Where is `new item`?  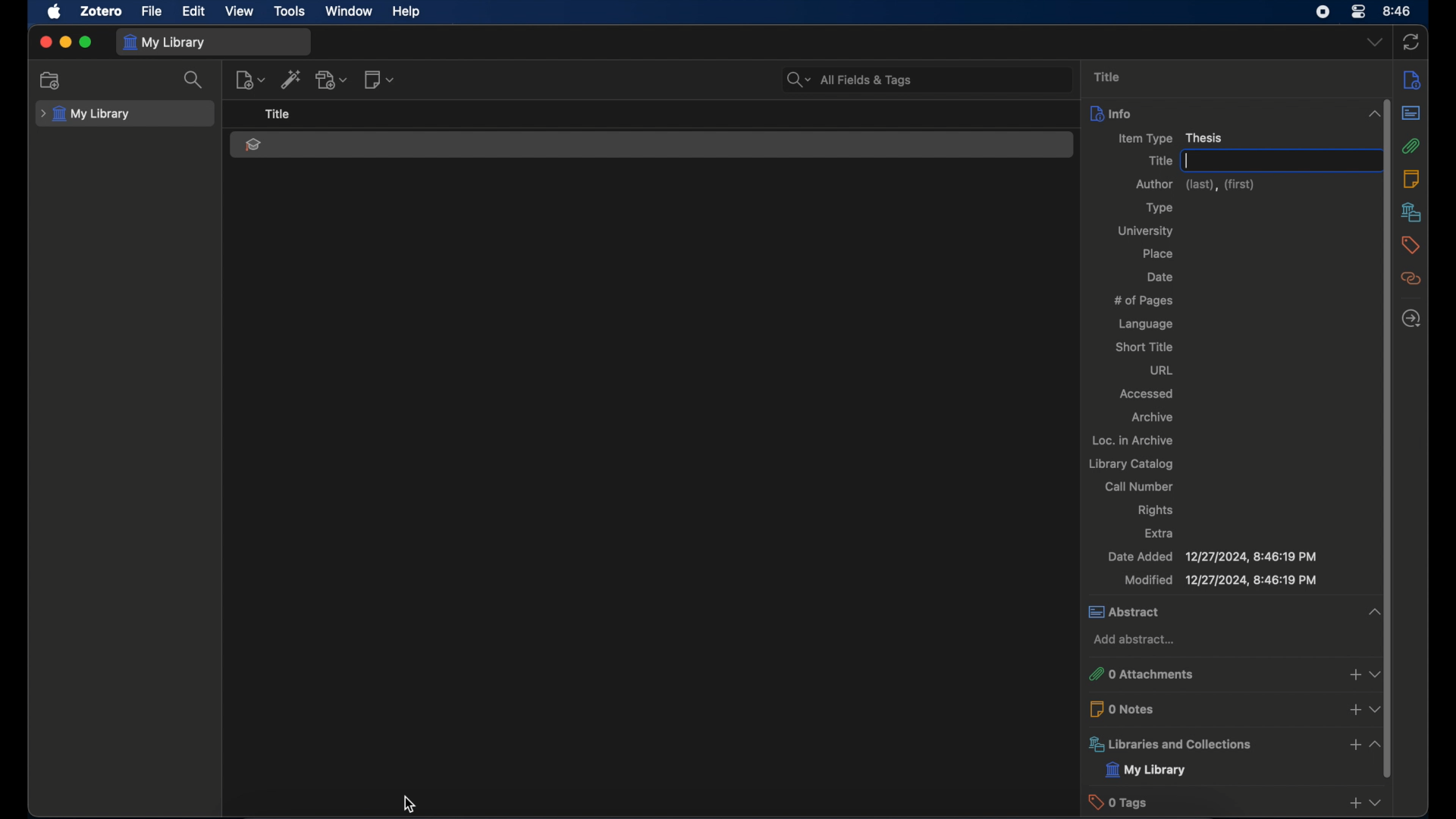
new item is located at coordinates (250, 80).